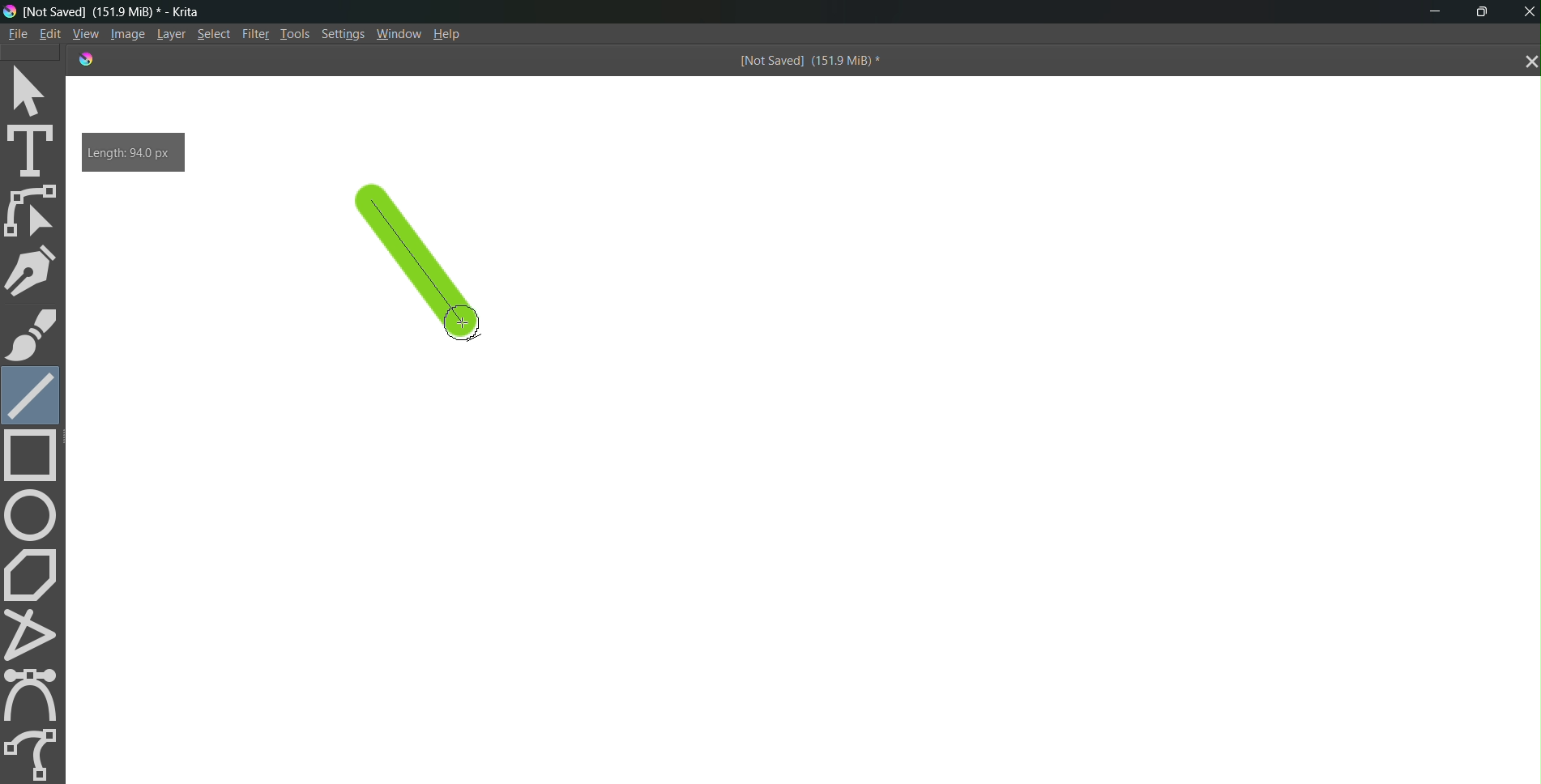 The image size is (1541, 784). I want to click on Window, so click(399, 34).